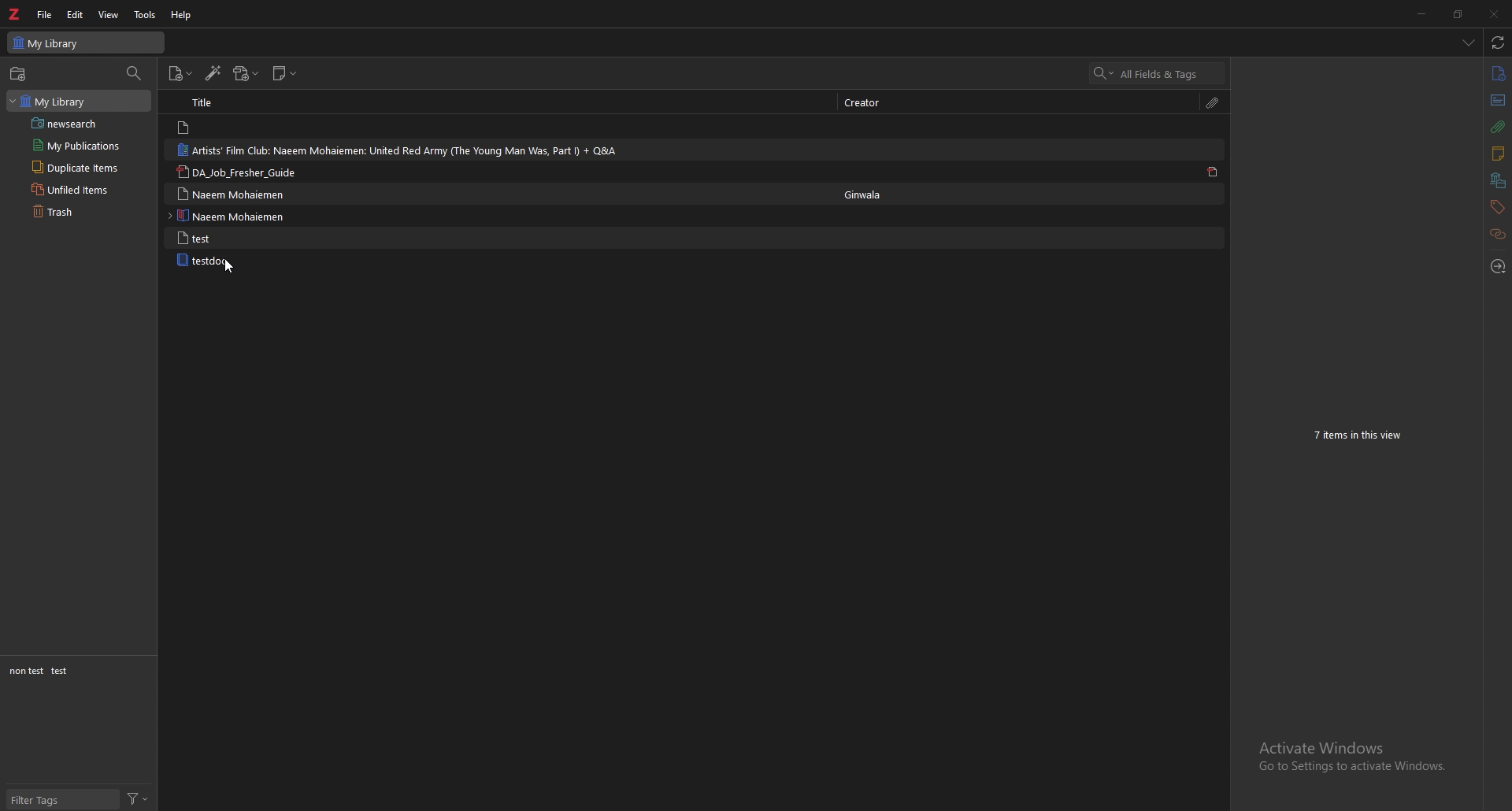  I want to click on notes, so click(1498, 154).